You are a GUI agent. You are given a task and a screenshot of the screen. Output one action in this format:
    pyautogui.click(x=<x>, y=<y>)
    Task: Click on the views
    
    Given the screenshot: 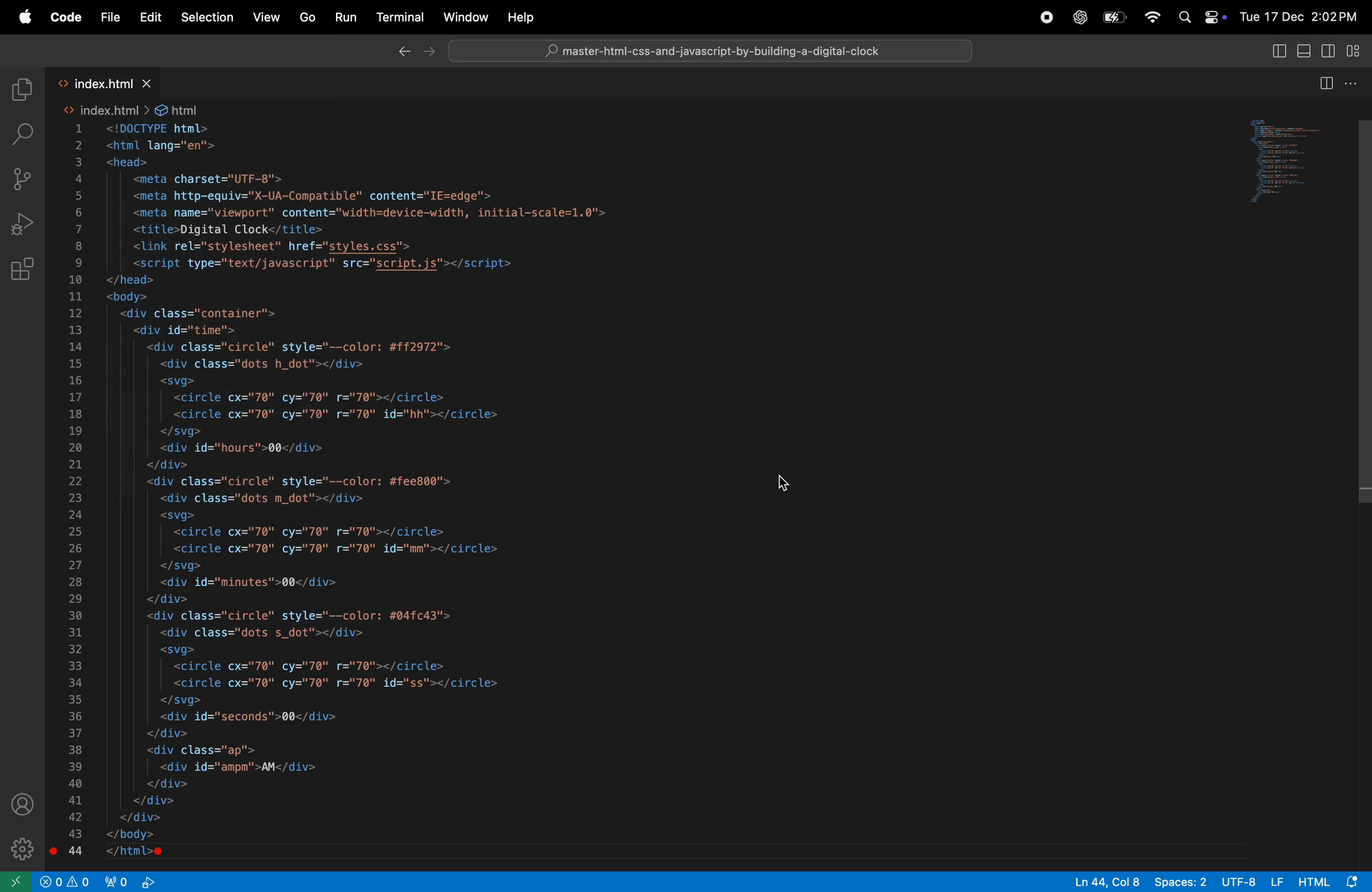 What is the action you would take?
    pyautogui.click(x=265, y=17)
    